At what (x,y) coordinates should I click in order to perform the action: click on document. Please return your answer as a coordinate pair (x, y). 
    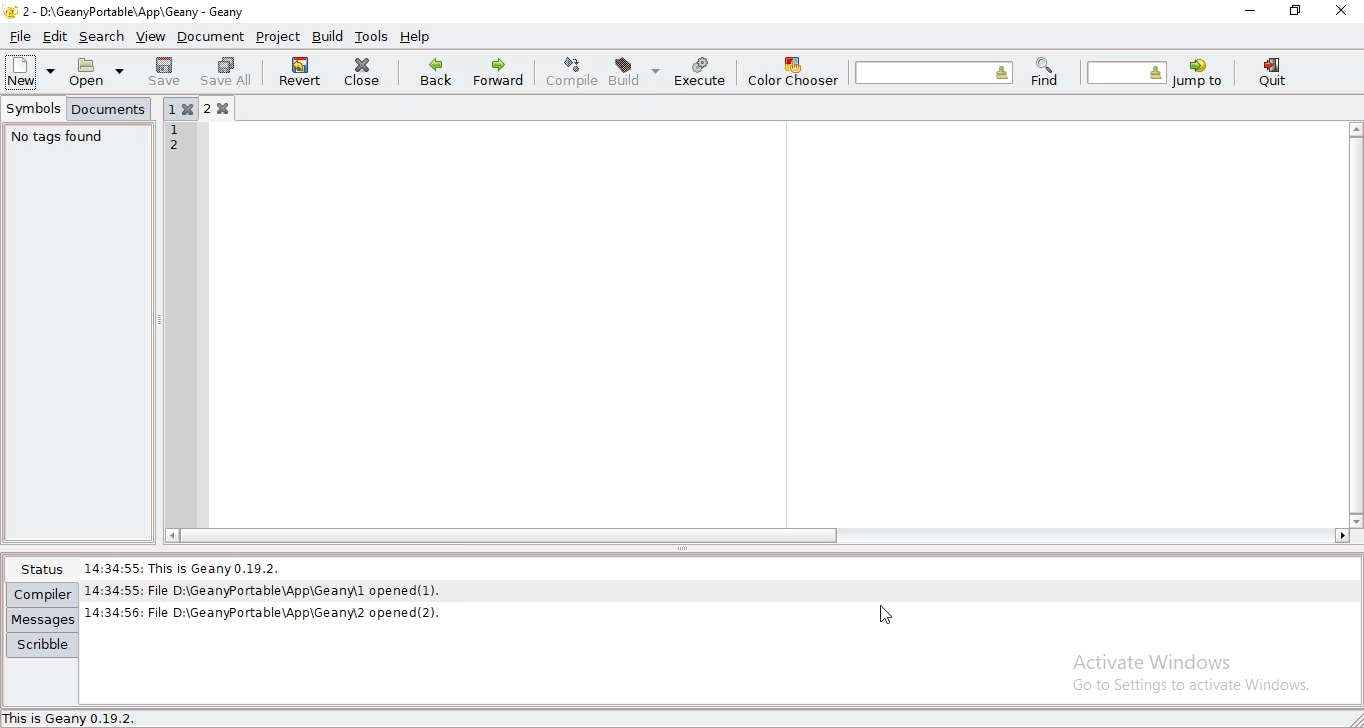
    Looking at the image, I should click on (211, 37).